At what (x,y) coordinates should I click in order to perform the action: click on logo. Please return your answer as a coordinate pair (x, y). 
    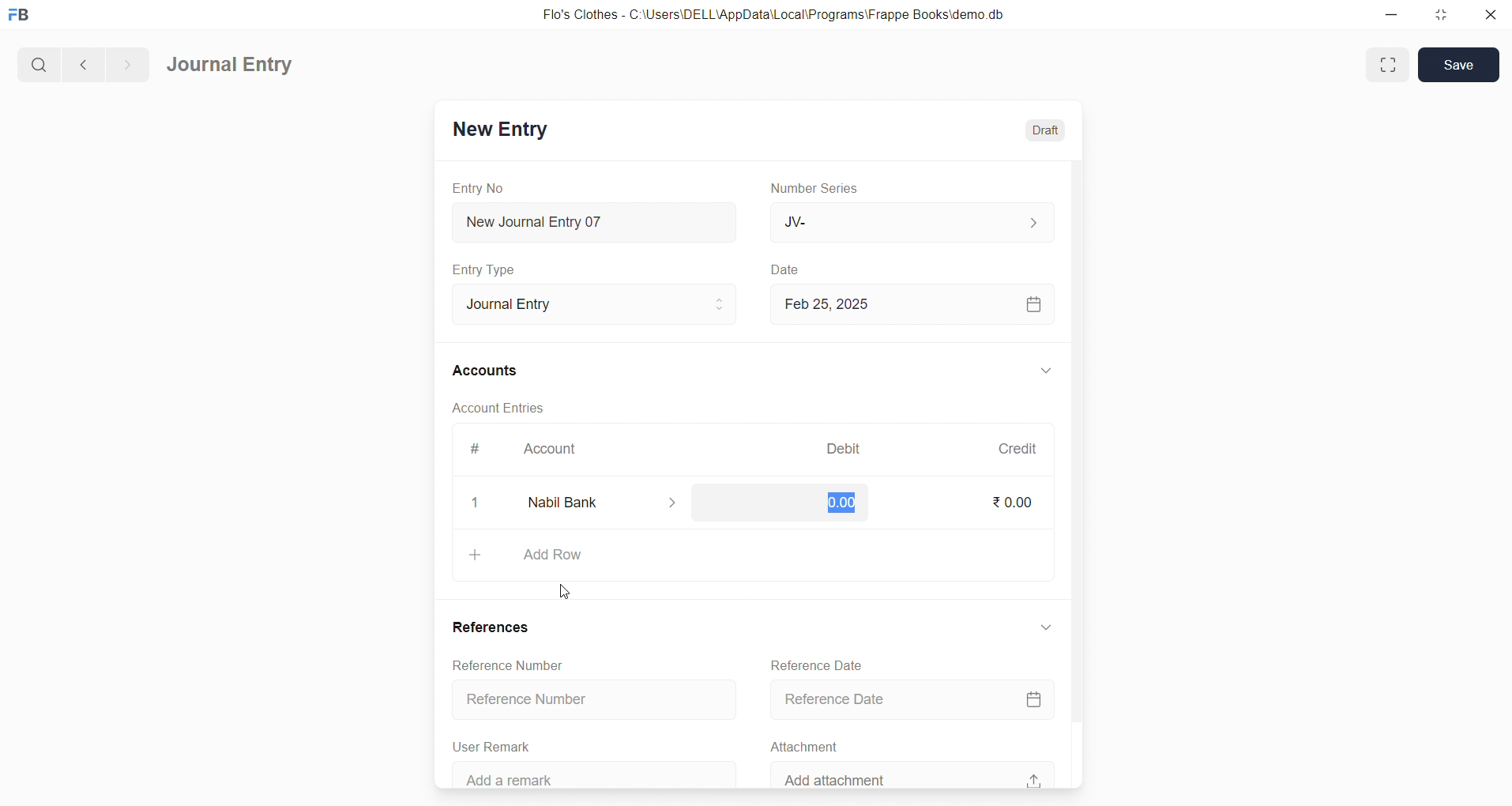
    Looking at the image, I should click on (23, 16).